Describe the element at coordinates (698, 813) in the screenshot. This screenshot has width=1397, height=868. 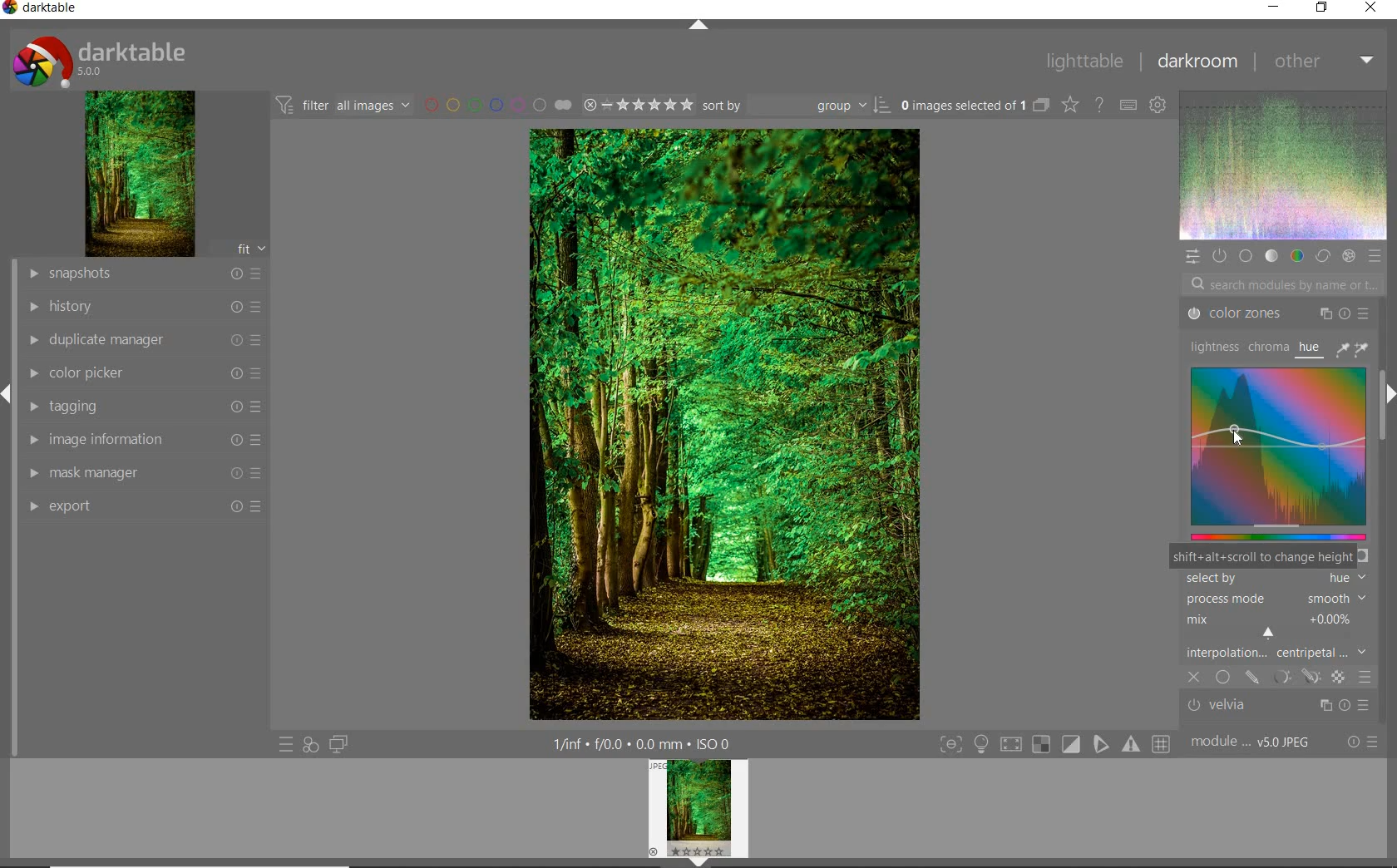
I see `IMAGE PREVIEW` at that location.